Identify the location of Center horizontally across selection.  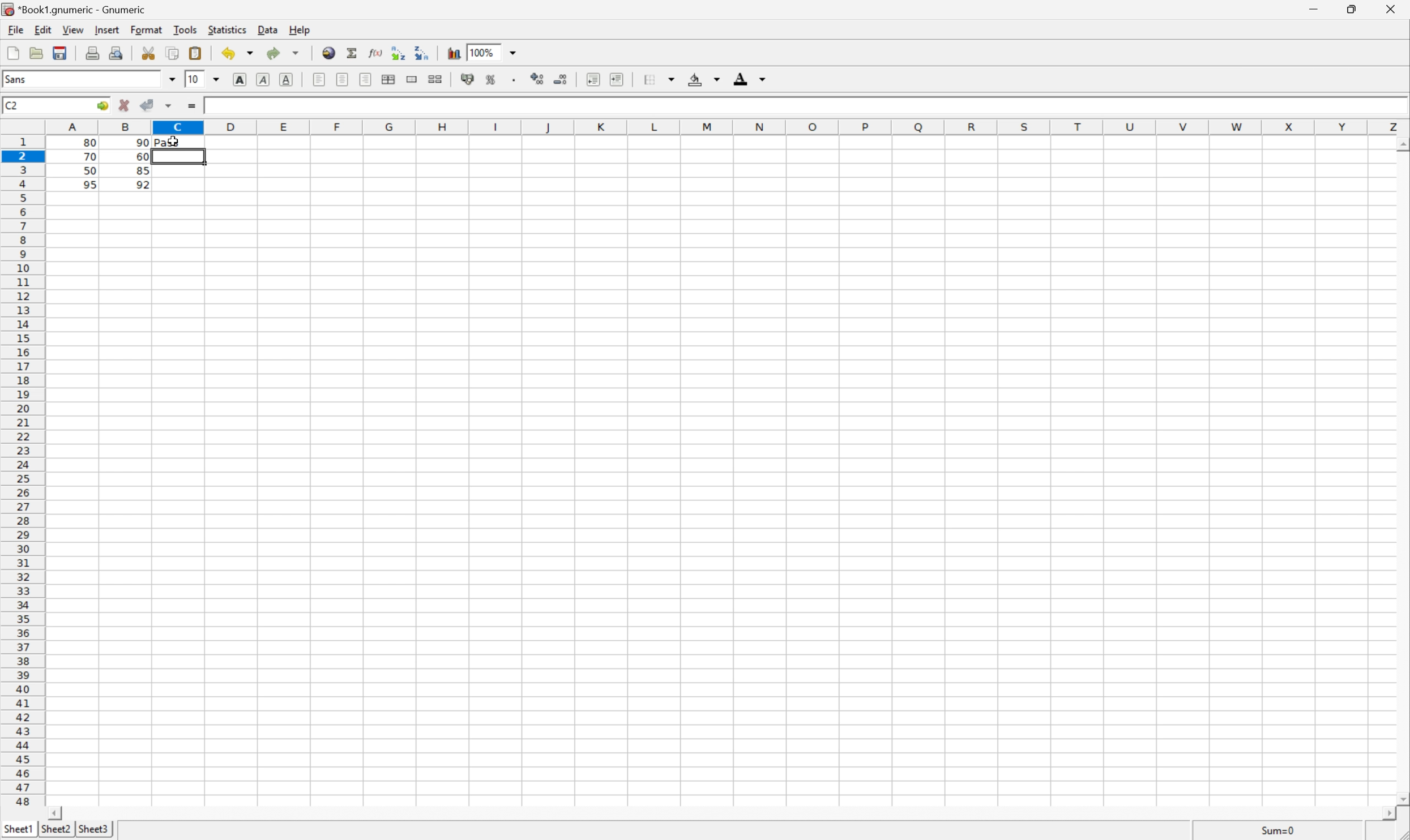
(391, 78).